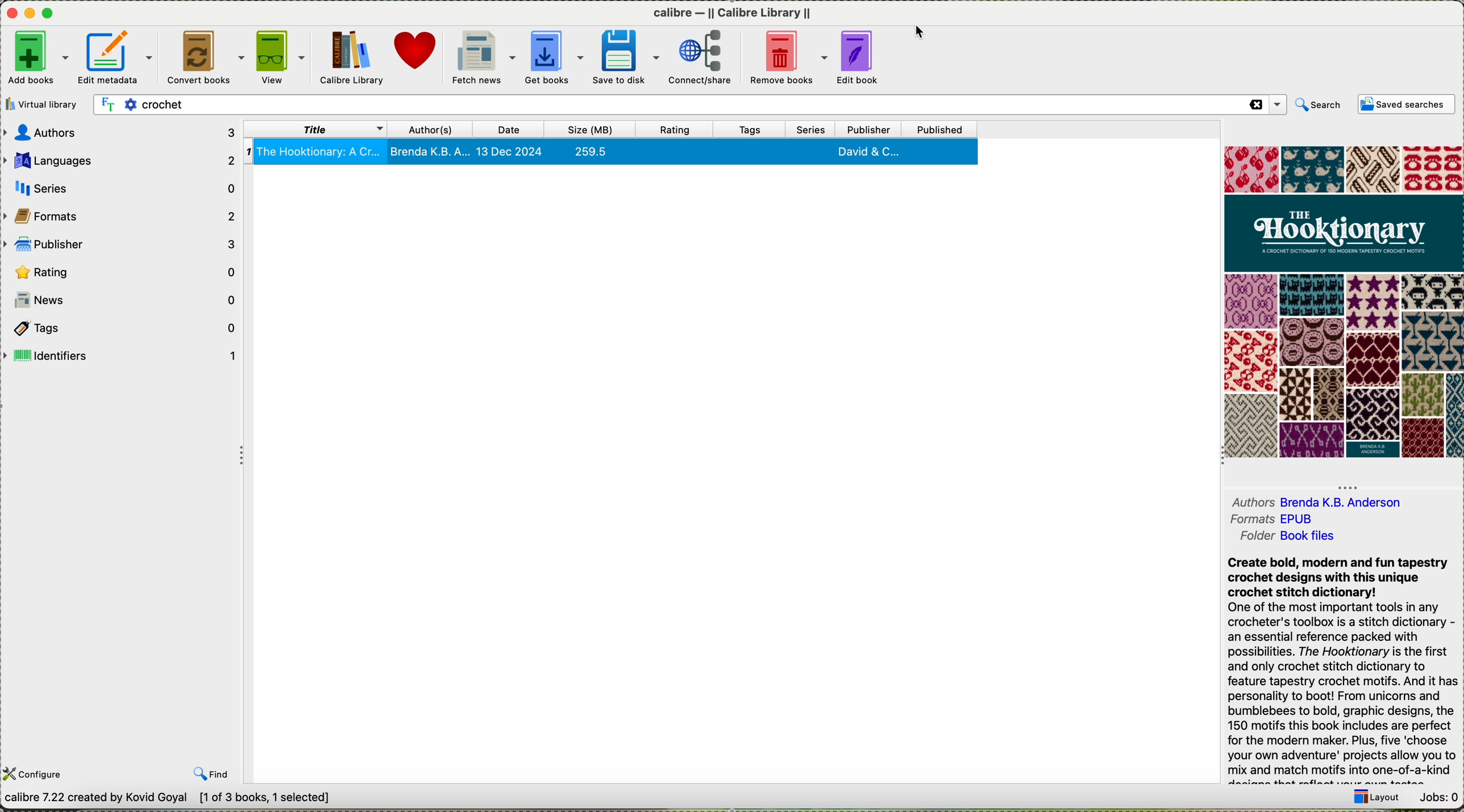 This screenshot has width=1464, height=812. Describe the element at coordinates (1309, 537) in the screenshot. I see `Book File` at that location.